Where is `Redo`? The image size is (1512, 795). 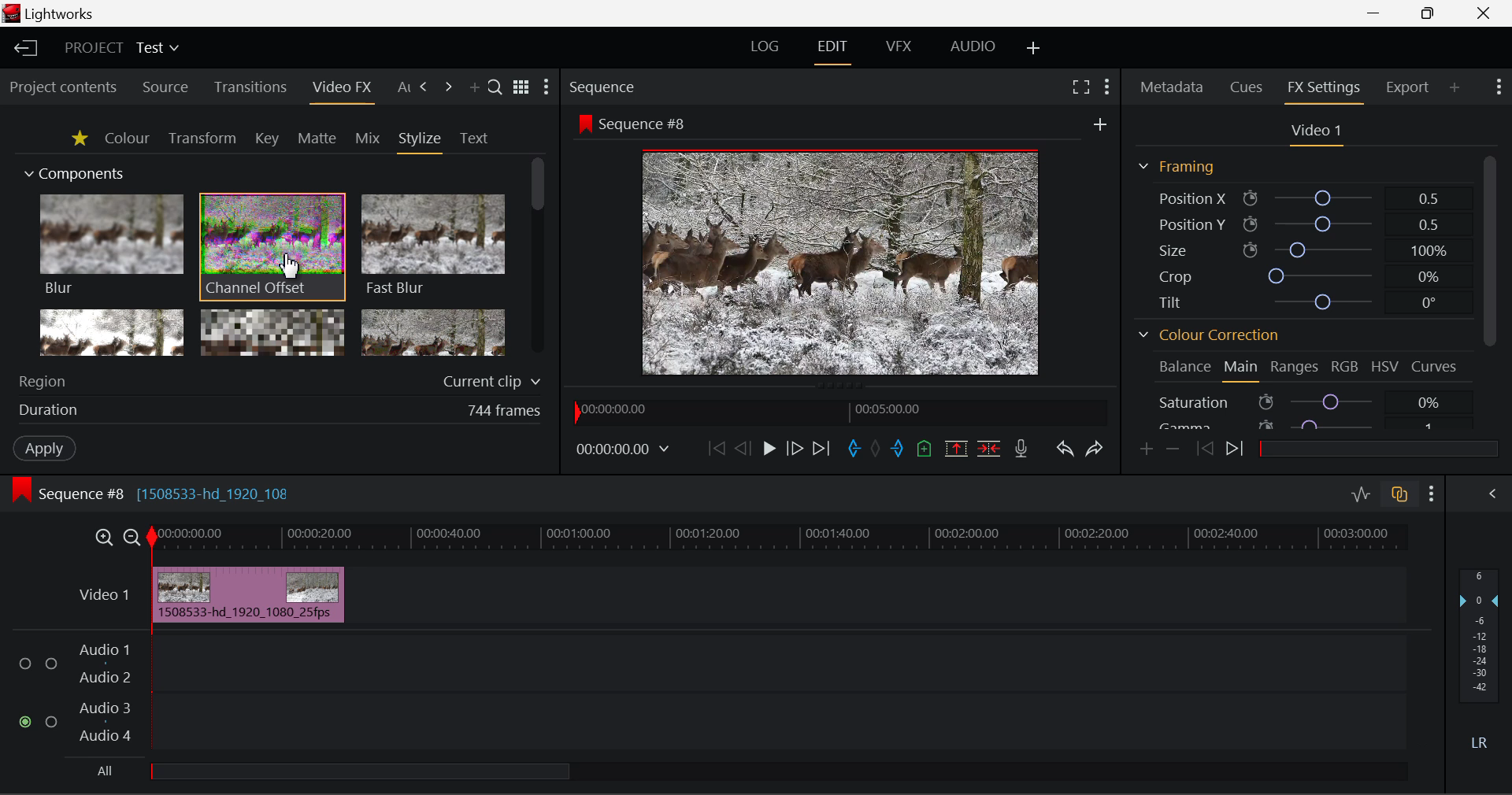
Redo is located at coordinates (1095, 452).